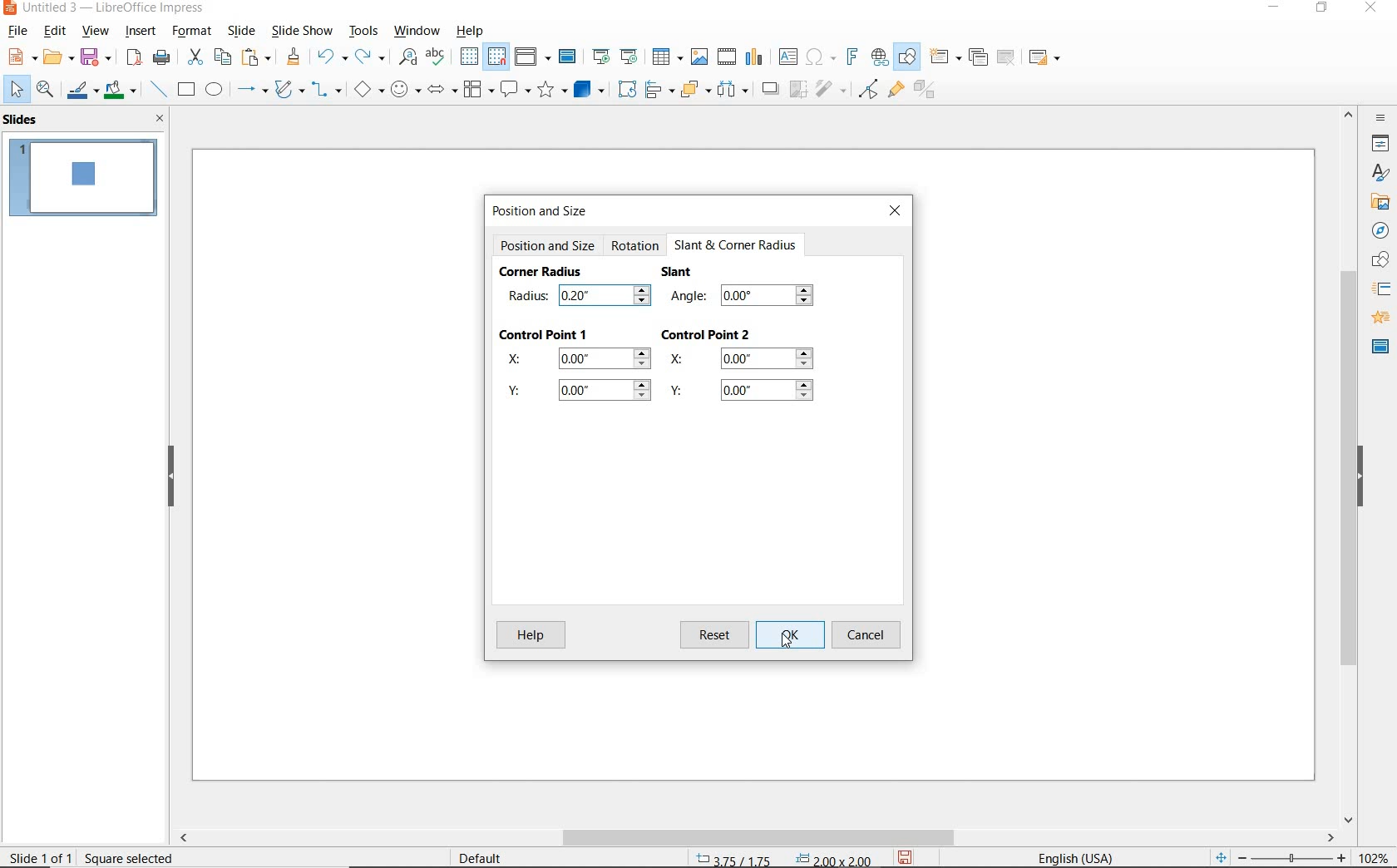  What do you see at coordinates (589, 88) in the screenshot?
I see `3d objects` at bounding box center [589, 88].